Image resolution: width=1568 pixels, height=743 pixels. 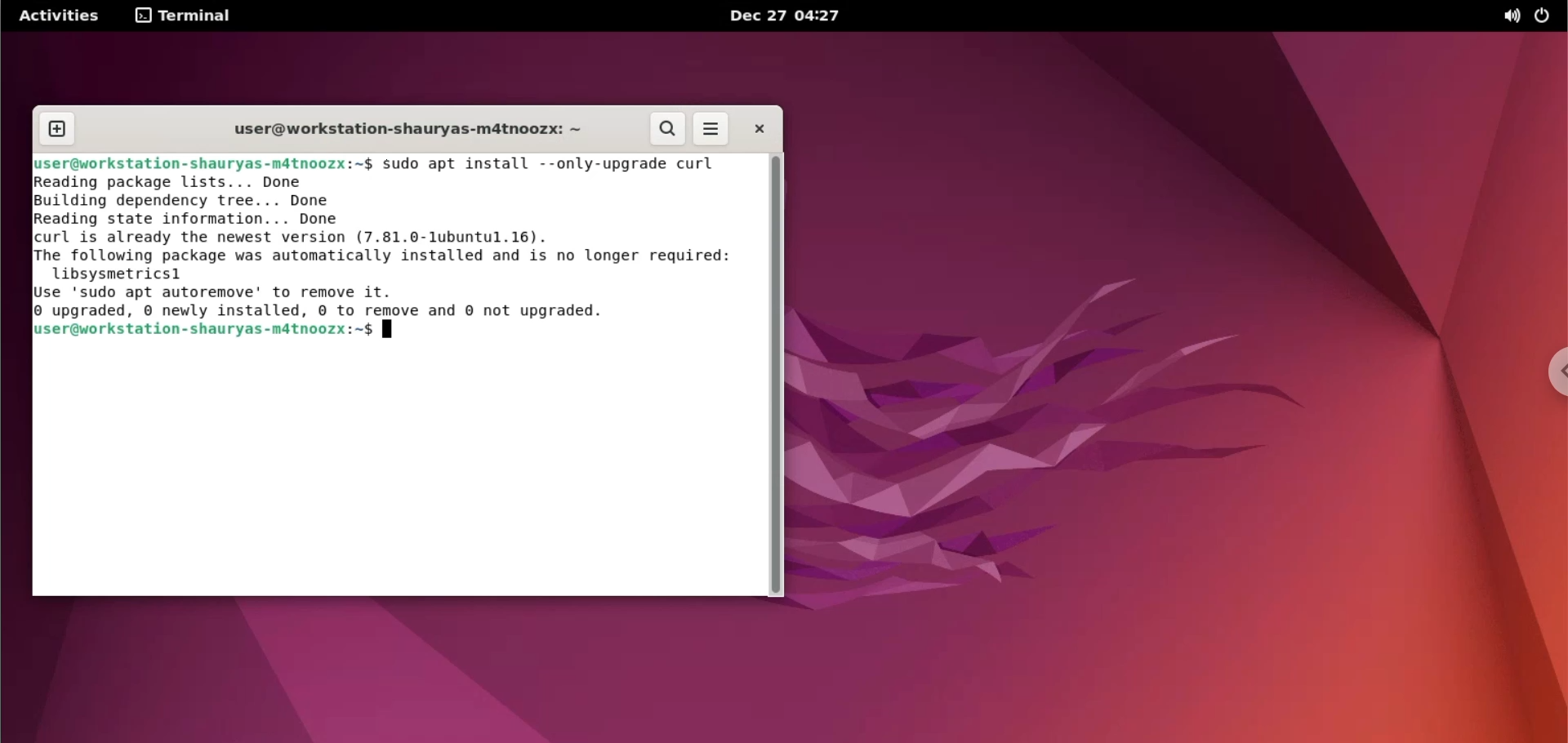 What do you see at coordinates (58, 130) in the screenshot?
I see `new tab` at bounding box center [58, 130].